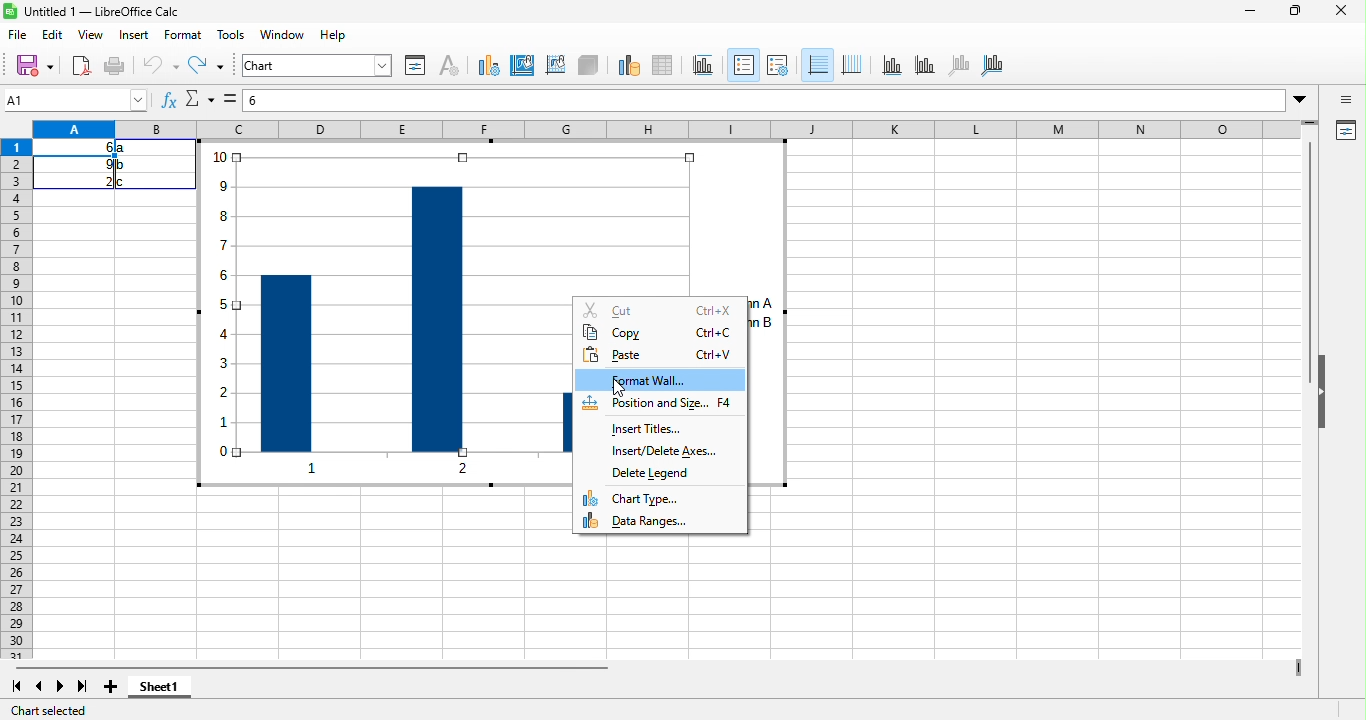 The height and width of the screenshot is (720, 1366). I want to click on columns, so click(413, 332).